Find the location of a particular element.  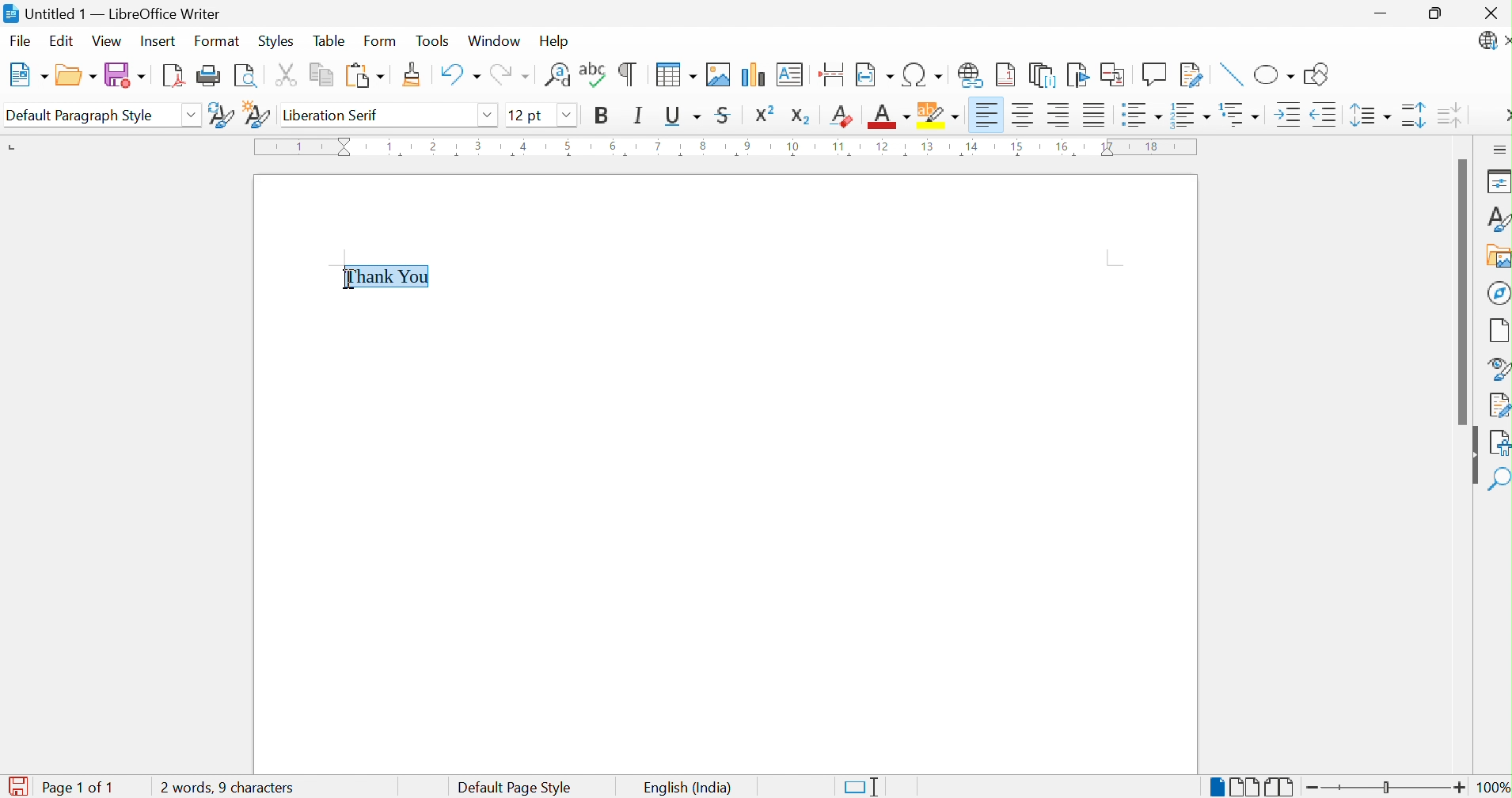

Check Spelling is located at coordinates (593, 78).